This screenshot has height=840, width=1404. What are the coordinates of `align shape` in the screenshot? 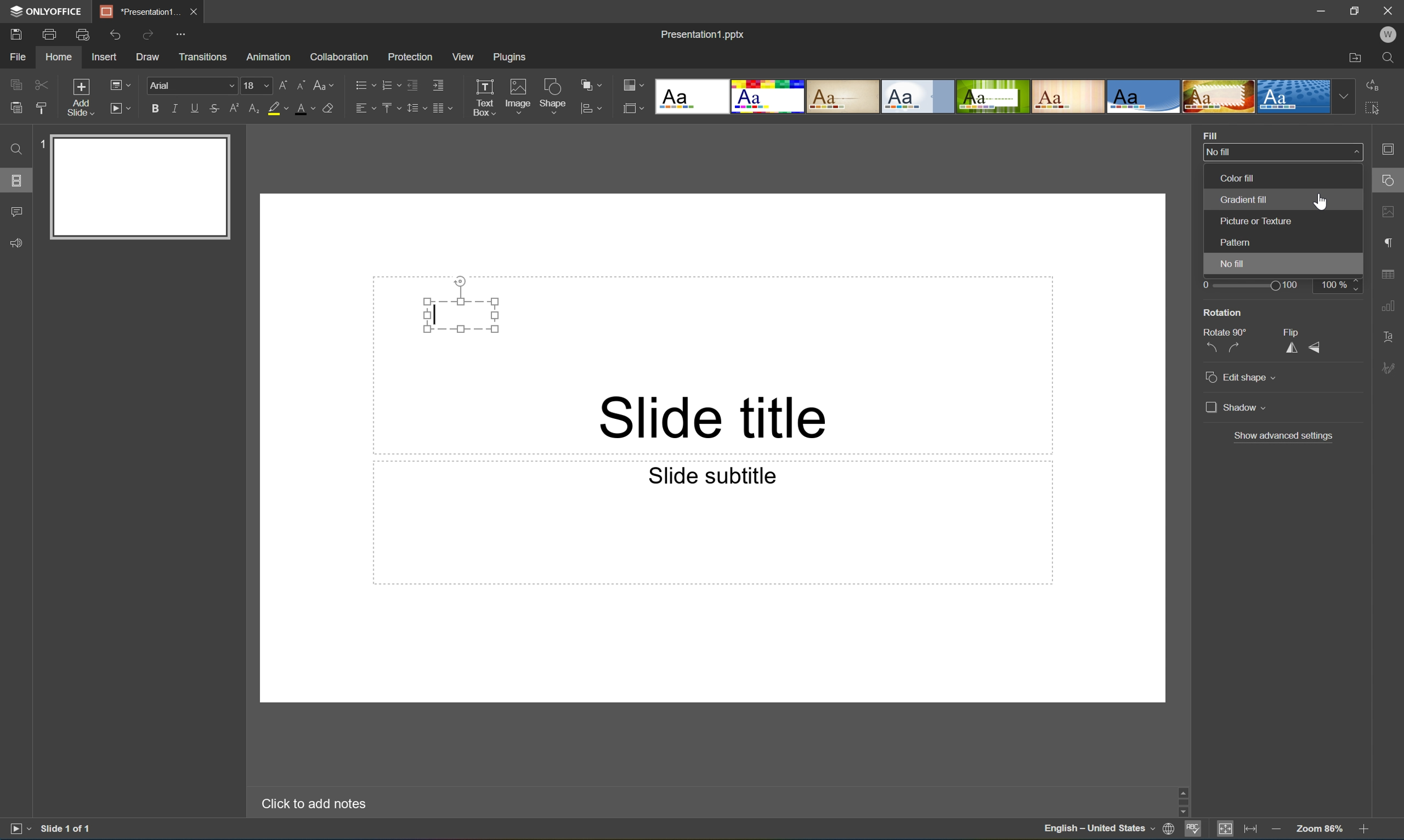 It's located at (593, 109).